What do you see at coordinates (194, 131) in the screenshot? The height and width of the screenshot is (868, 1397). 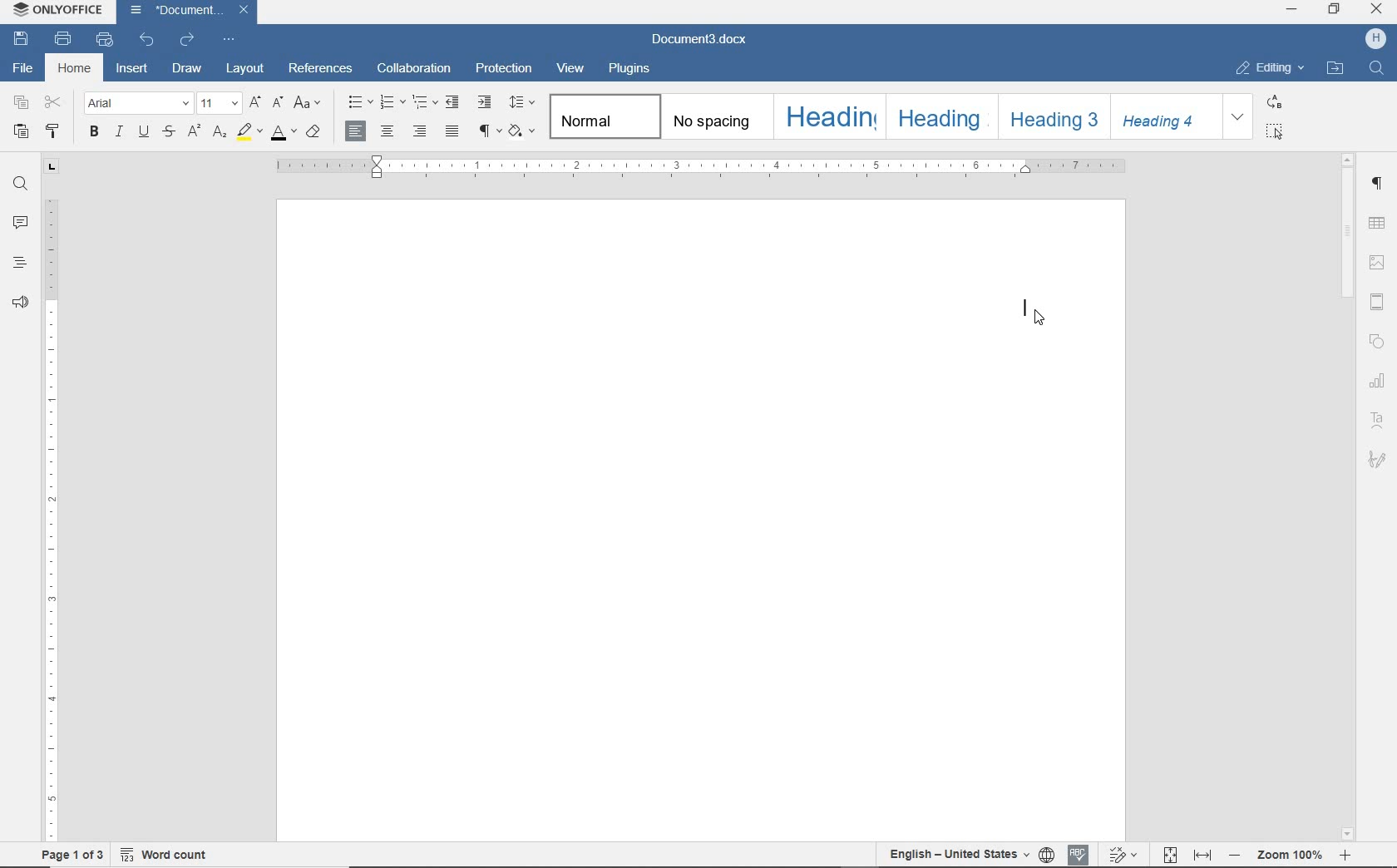 I see `SUPERSCRIPT` at bounding box center [194, 131].